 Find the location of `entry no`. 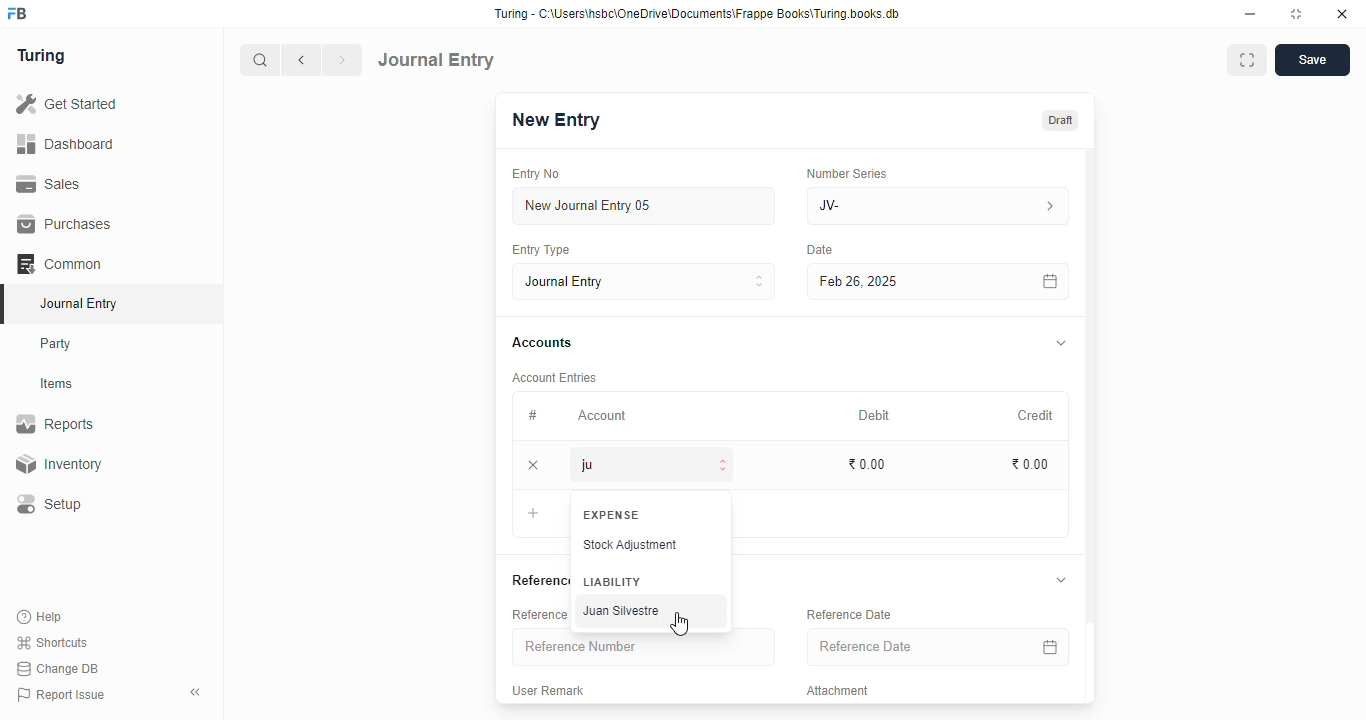

entry no is located at coordinates (537, 174).